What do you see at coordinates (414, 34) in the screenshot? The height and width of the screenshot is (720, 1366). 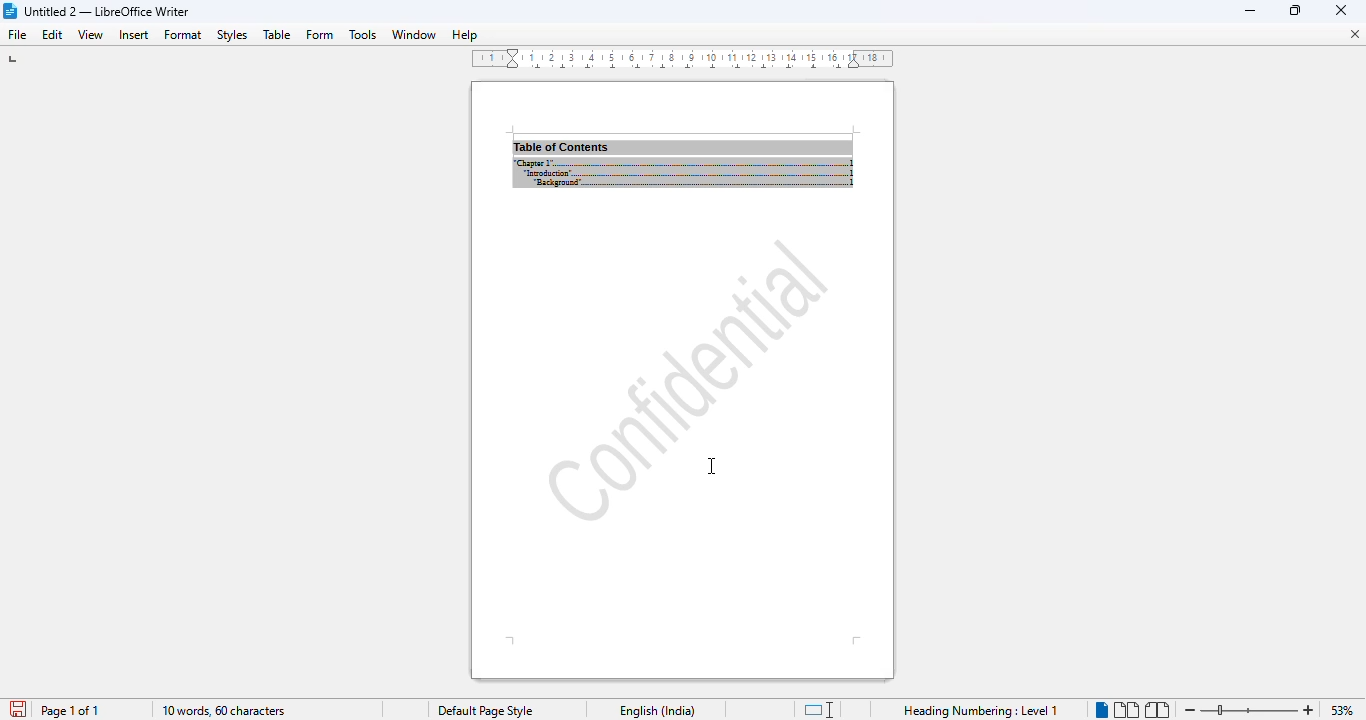 I see `window` at bounding box center [414, 34].